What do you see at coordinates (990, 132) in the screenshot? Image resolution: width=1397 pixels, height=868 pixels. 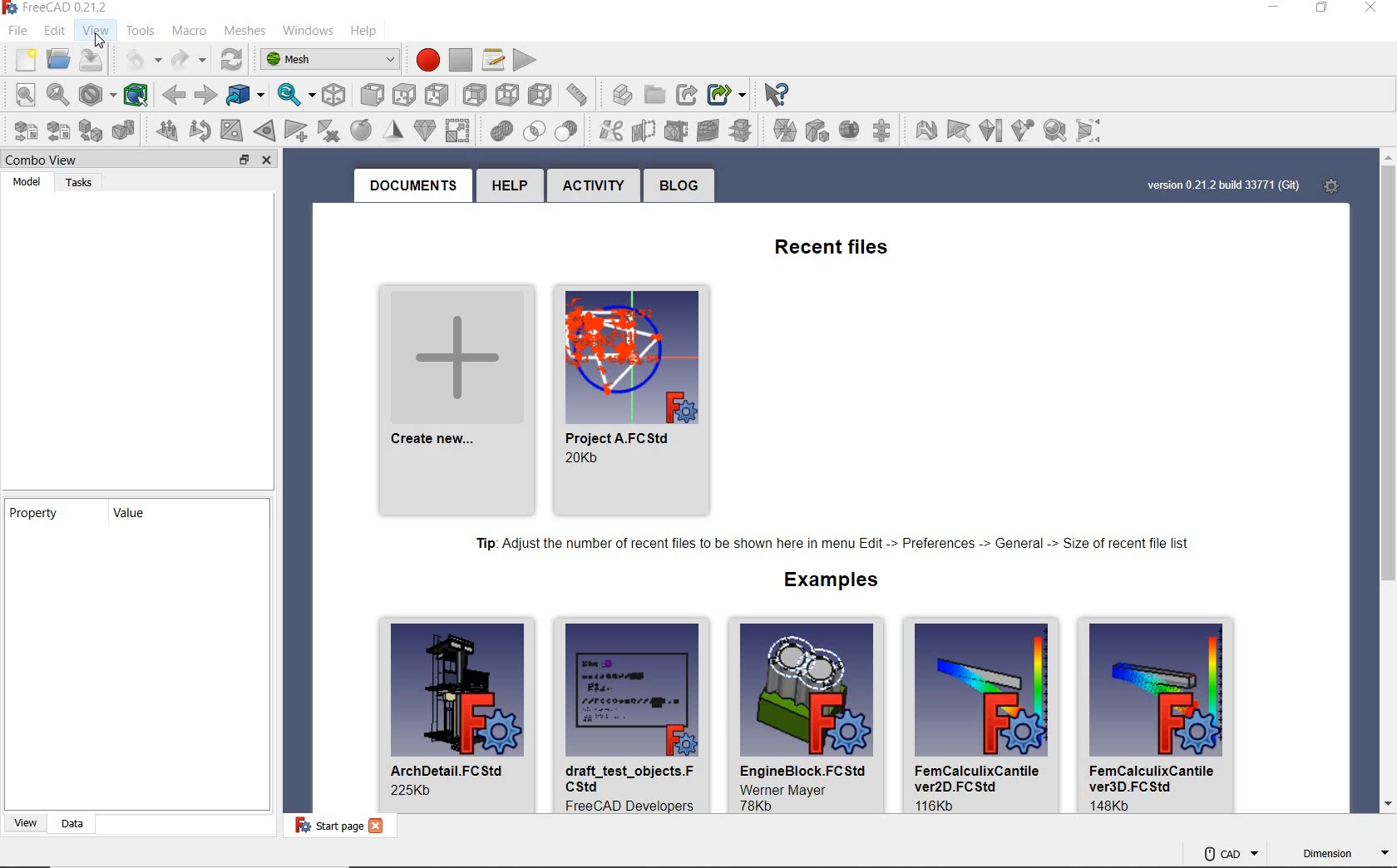 I see `curvature plat ` at bounding box center [990, 132].